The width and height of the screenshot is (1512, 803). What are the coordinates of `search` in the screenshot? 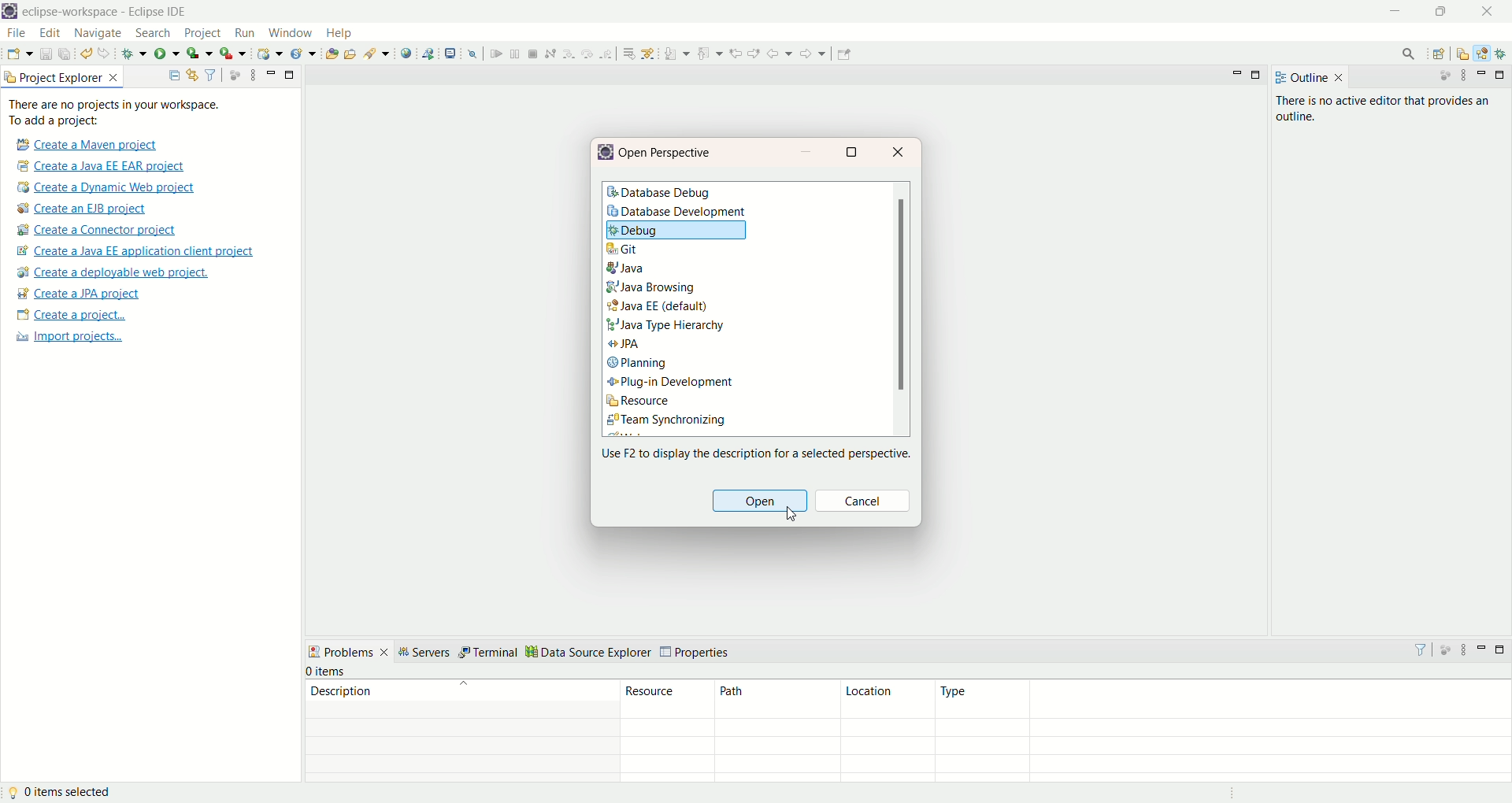 It's located at (376, 54).